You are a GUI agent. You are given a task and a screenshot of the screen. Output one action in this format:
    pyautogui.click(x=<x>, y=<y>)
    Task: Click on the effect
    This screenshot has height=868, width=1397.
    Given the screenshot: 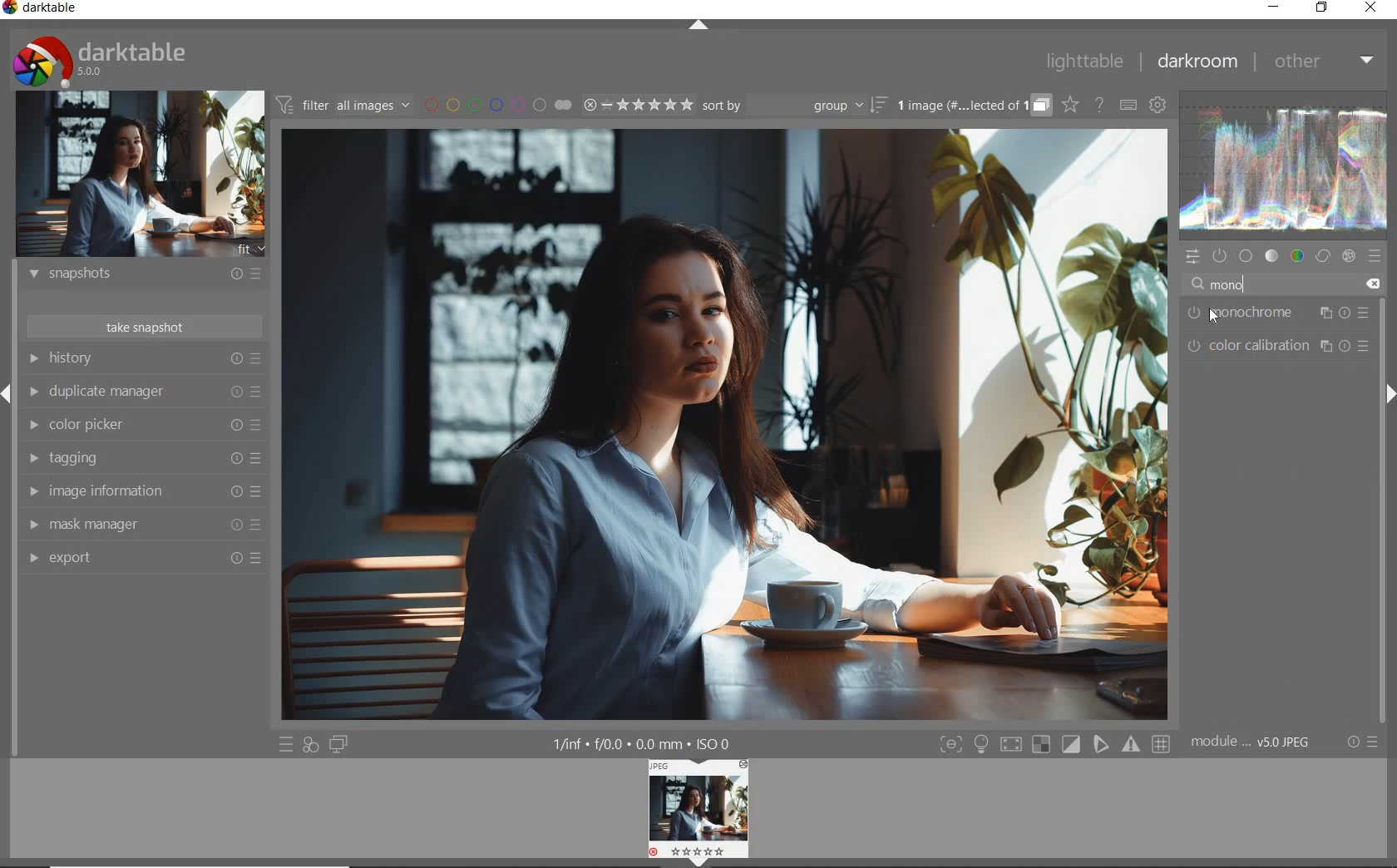 What is the action you would take?
    pyautogui.click(x=1349, y=255)
    